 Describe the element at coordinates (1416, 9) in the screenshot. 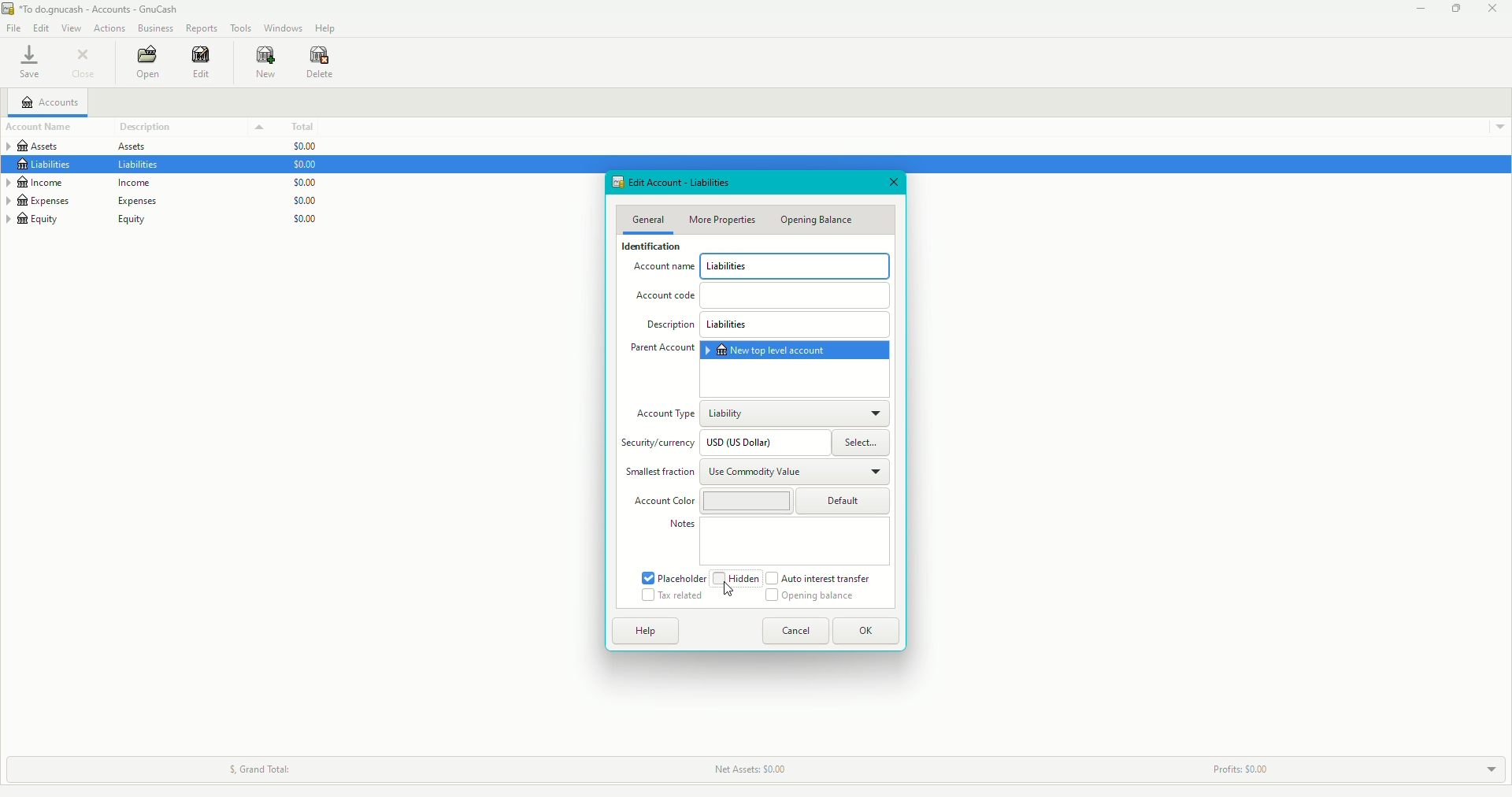

I see `Minimize` at that location.